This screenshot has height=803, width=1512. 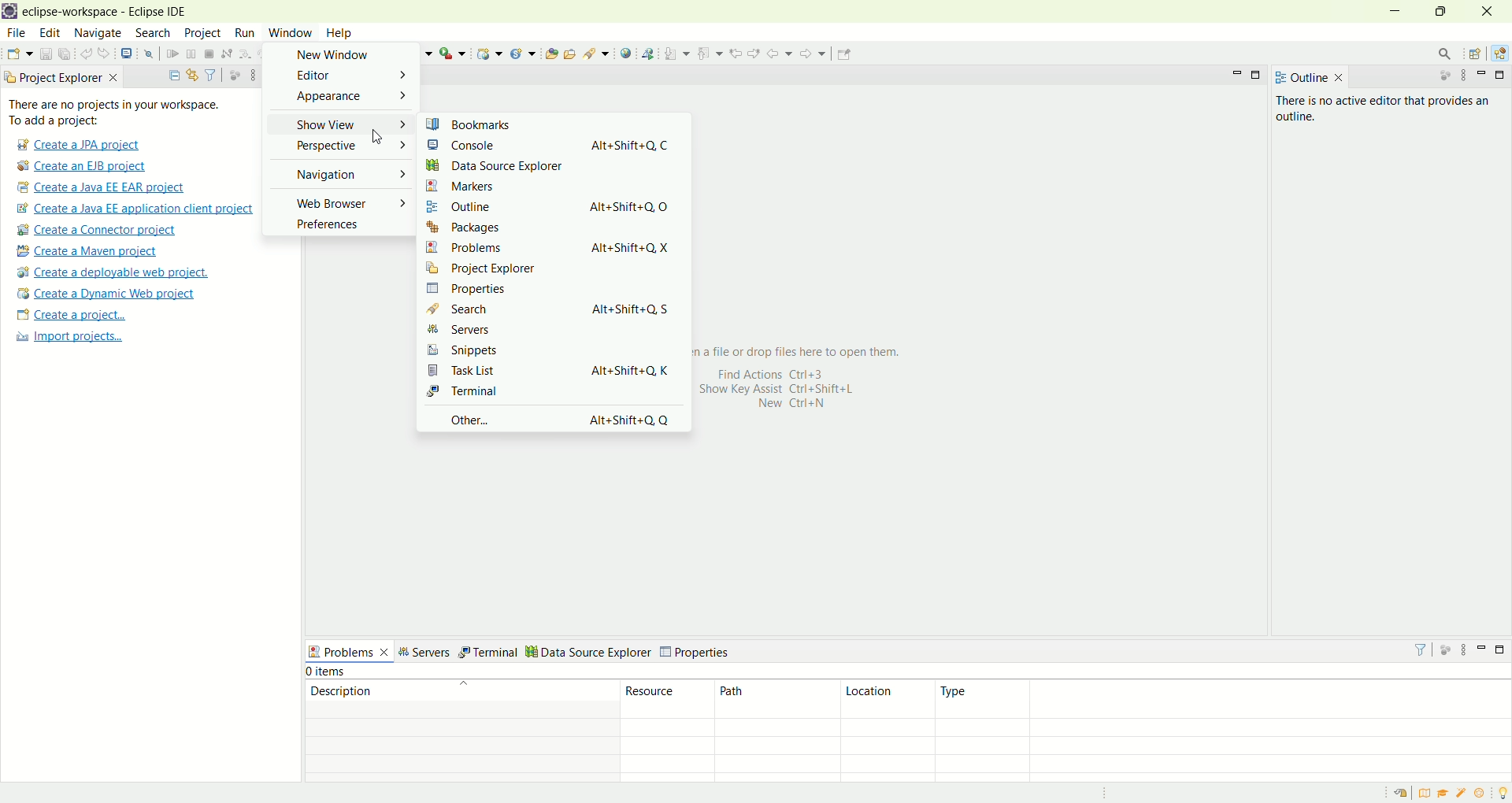 I want to click on bookmarks, so click(x=491, y=124).